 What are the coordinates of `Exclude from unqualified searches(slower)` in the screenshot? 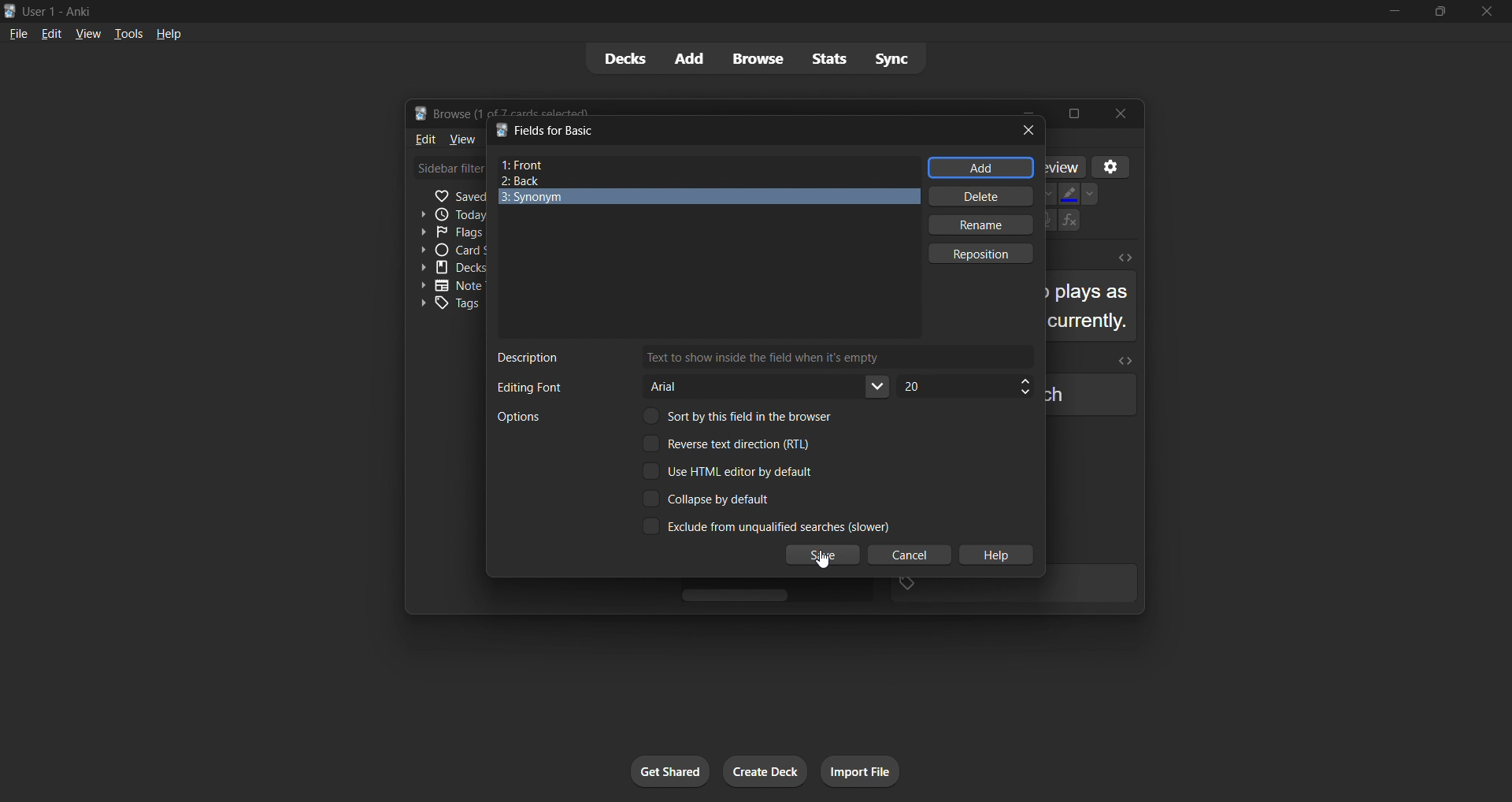 It's located at (762, 527).